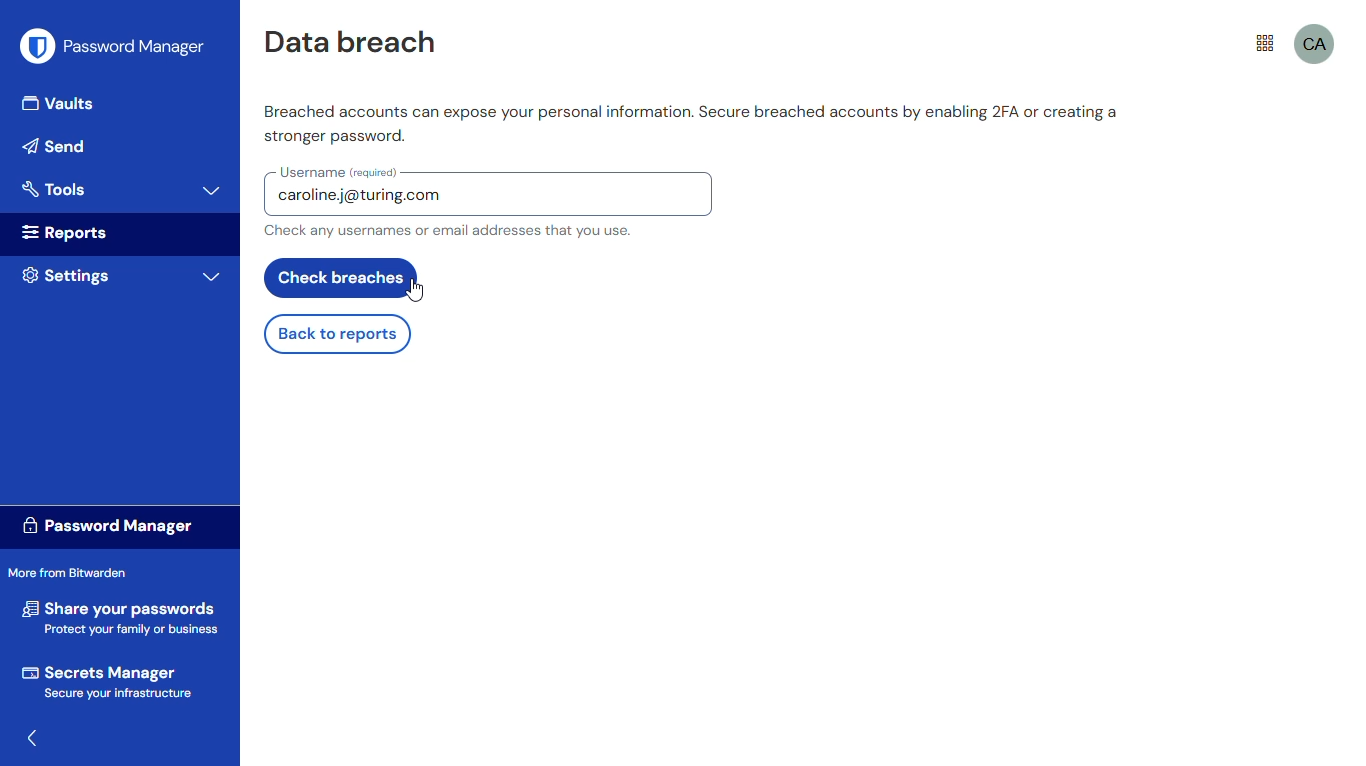  What do you see at coordinates (350, 40) in the screenshot?
I see `data breach` at bounding box center [350, 40].